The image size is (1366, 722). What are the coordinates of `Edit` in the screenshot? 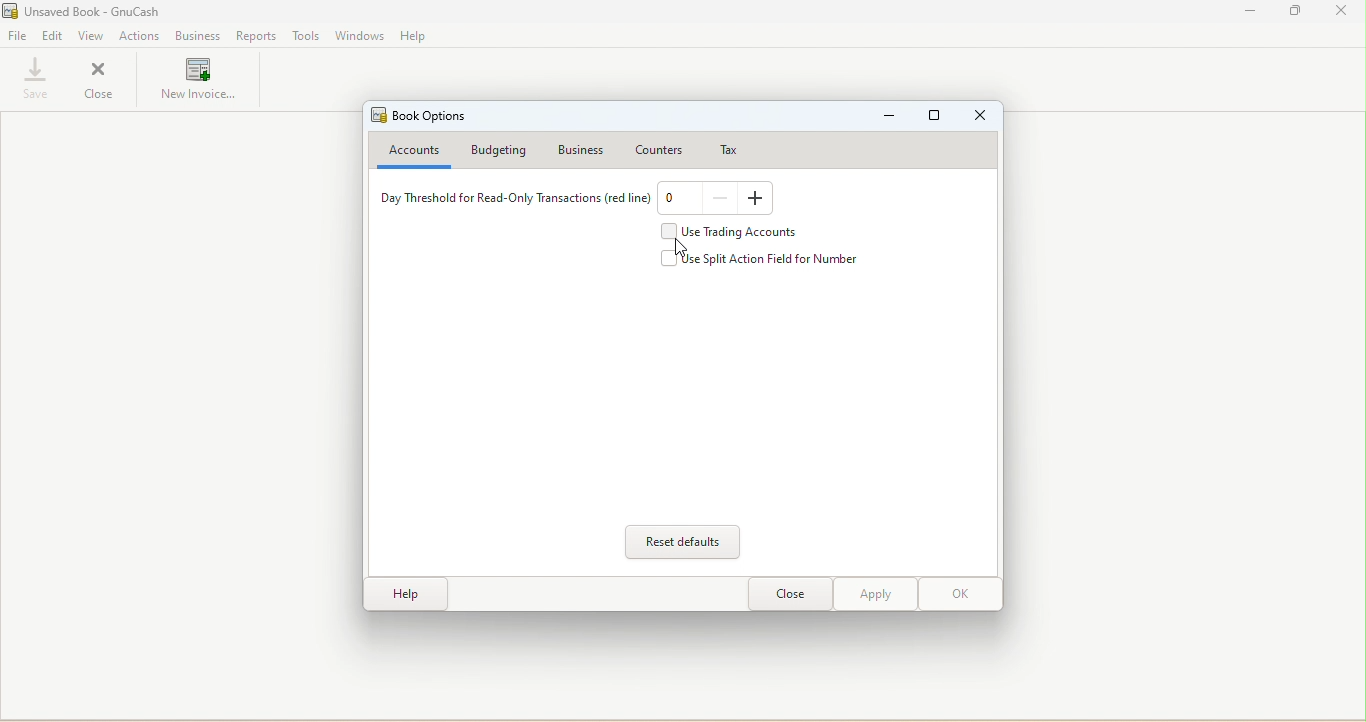 It's located at (53, 38).